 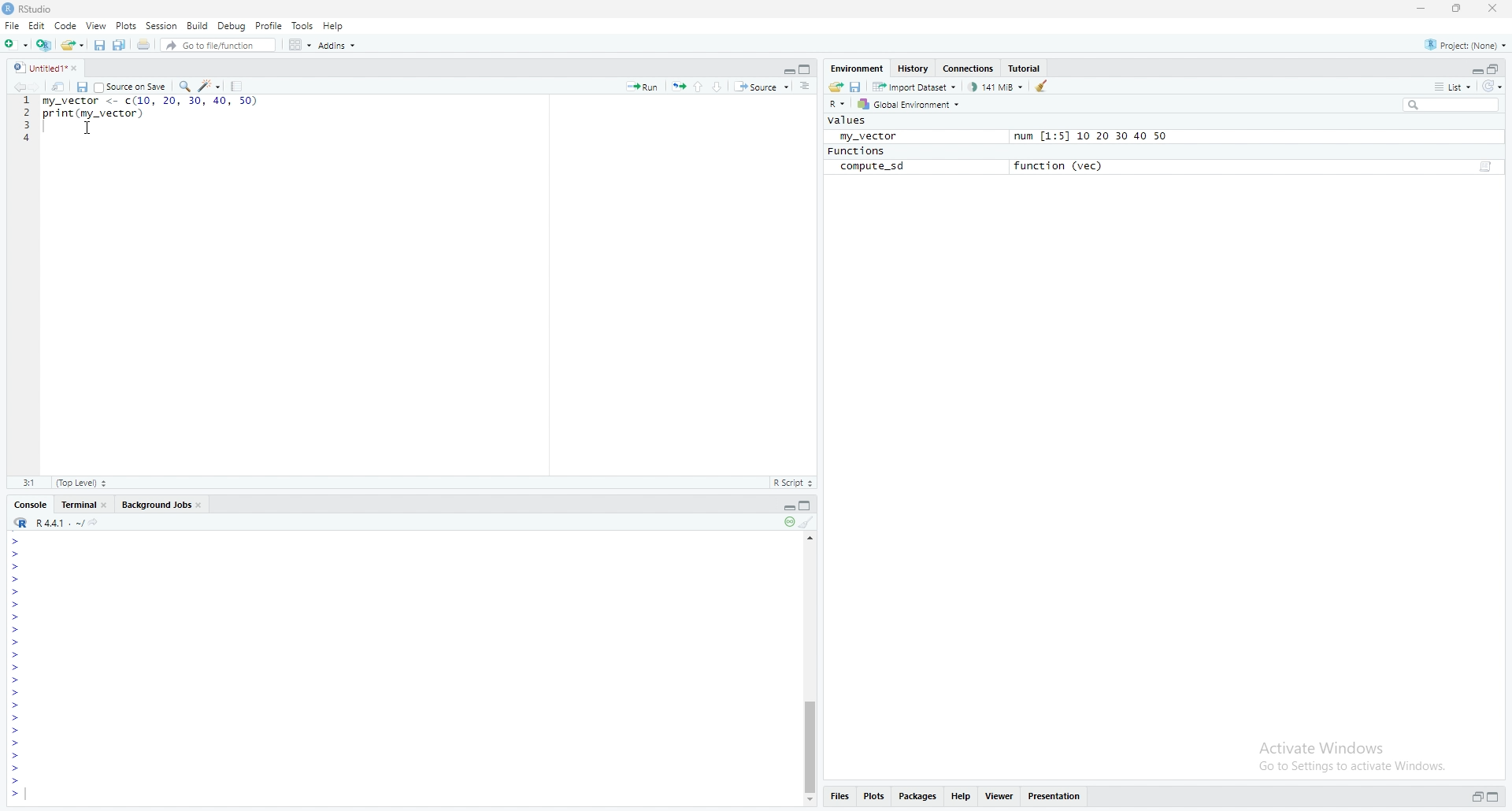 What do you see at coordinates (82, 87) in the screenshot?
I see `Save current document (Ctrl + S)` at bounding box center [82, 87].